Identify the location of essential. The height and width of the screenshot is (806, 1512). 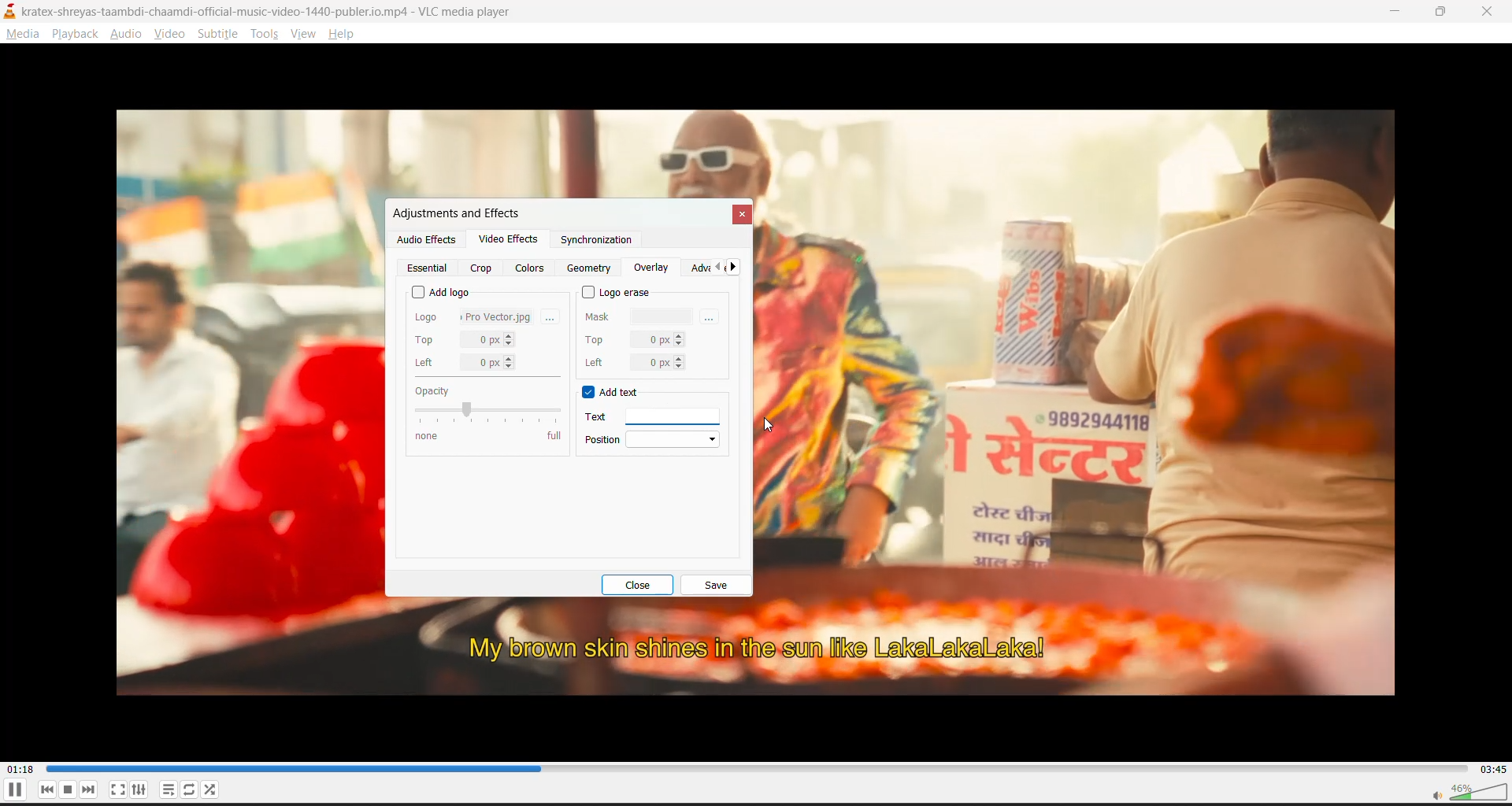
(430, 268).